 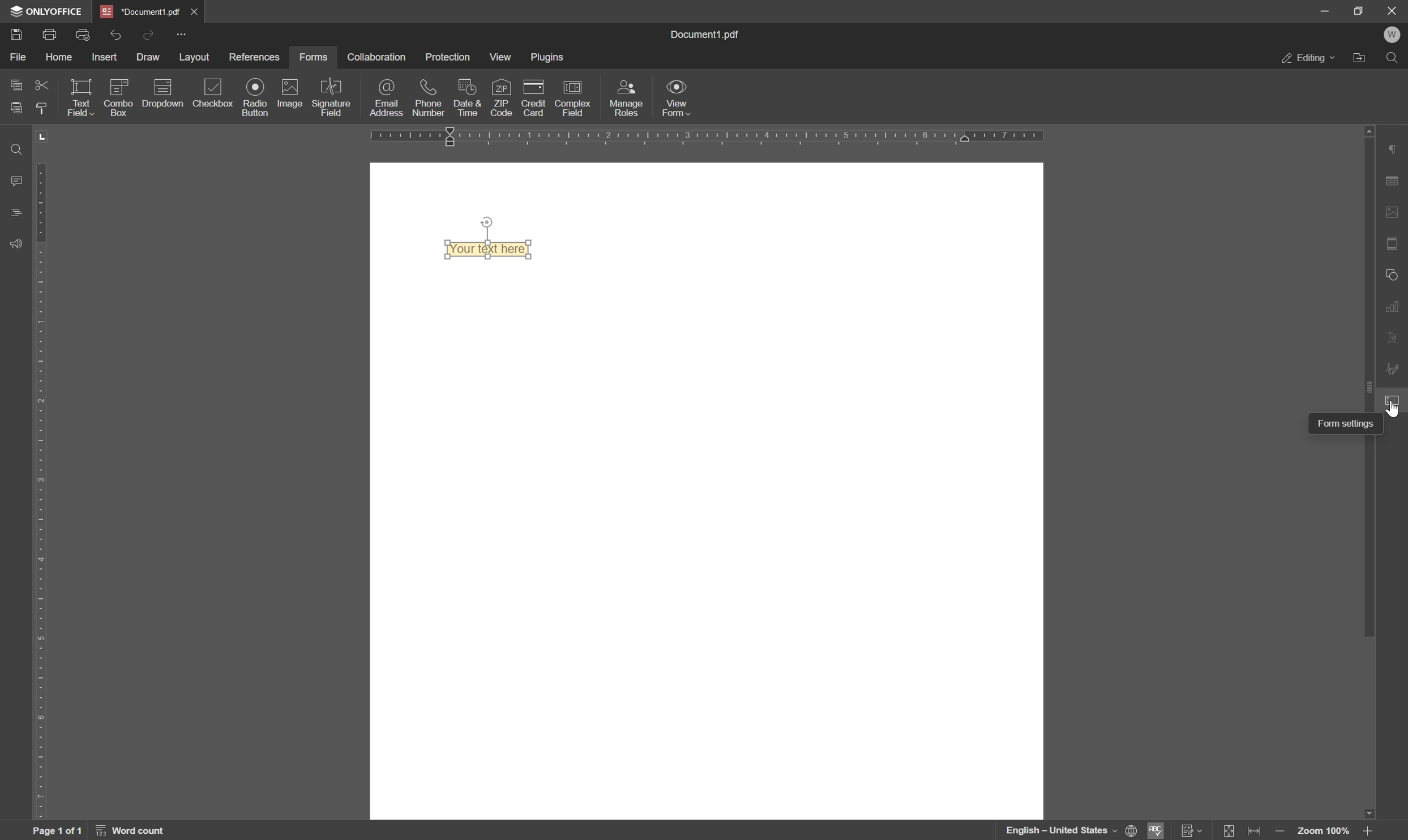 What do you see at coordinates (1396, 148) in the screenshot?
I see `paragraph settings` at bounding box center [1396, 148].